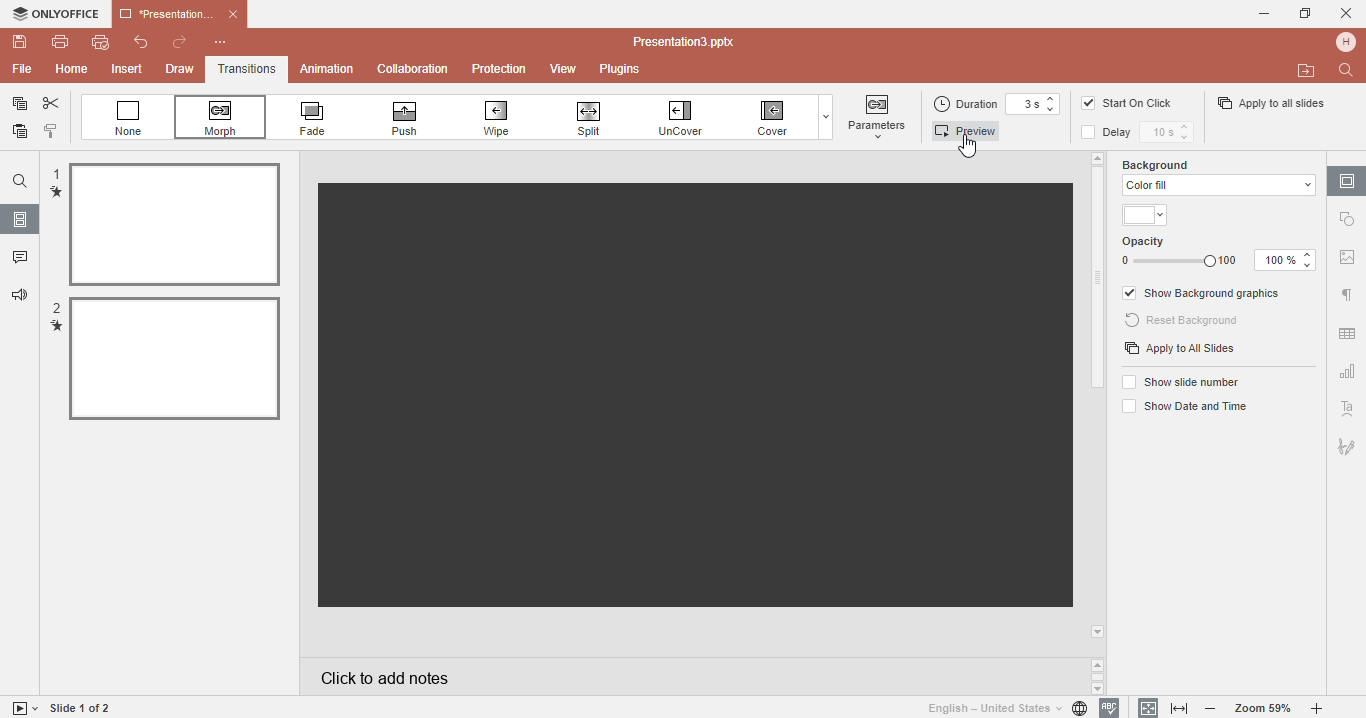  What do you see at coordinates (1184, 381) in the screenshot?
I see `Show slide numbers` at bounding box center [1184, 381].